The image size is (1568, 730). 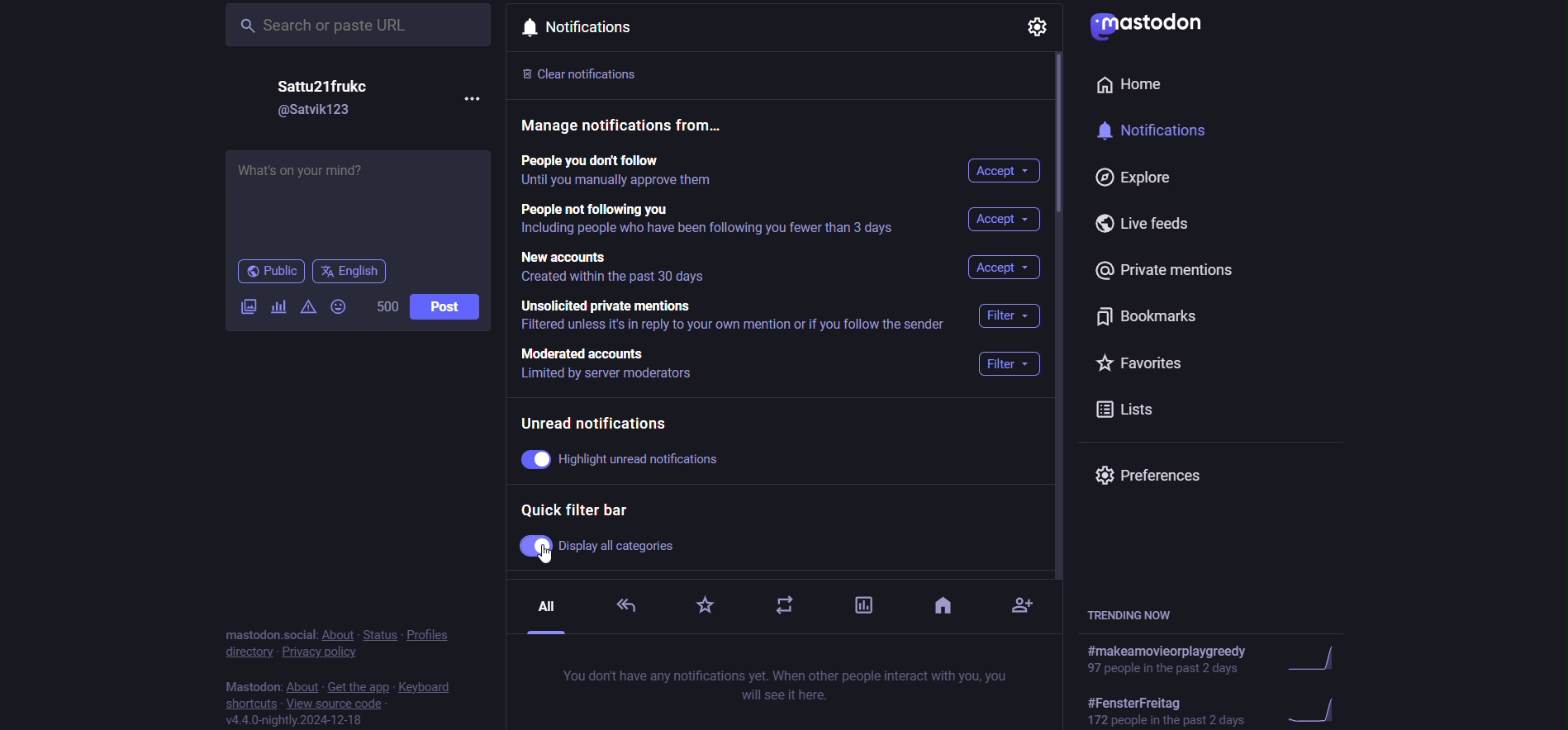 What do you see at coordinates (862, 604) in the screenshot?
I see `poll` at bounding box center [862, 604].